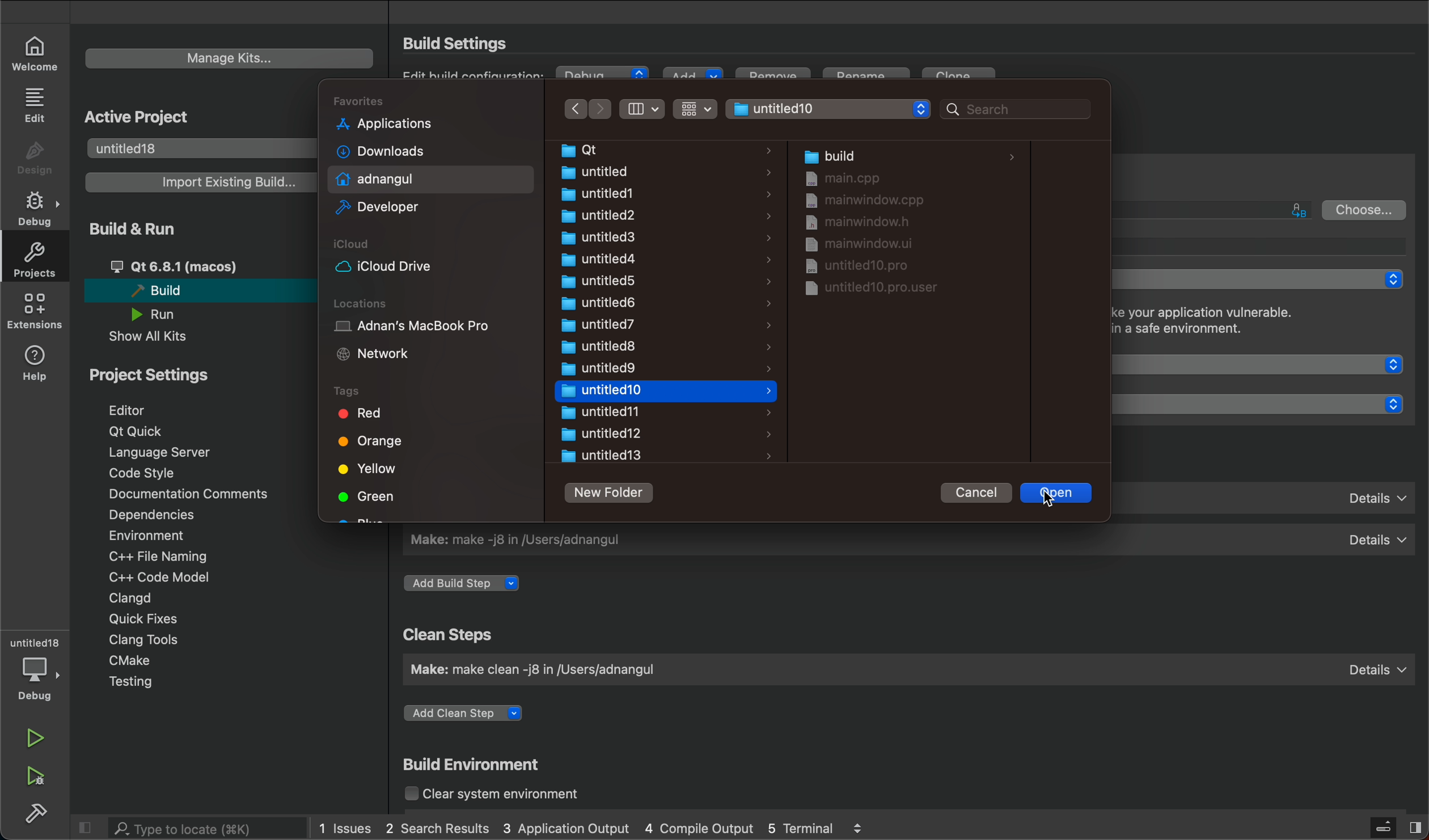 The width and height of the screenshot is (1429, 840). Describe the element at coordinates (88, 828) in the screenshot. I see `close slidebar` at that location.